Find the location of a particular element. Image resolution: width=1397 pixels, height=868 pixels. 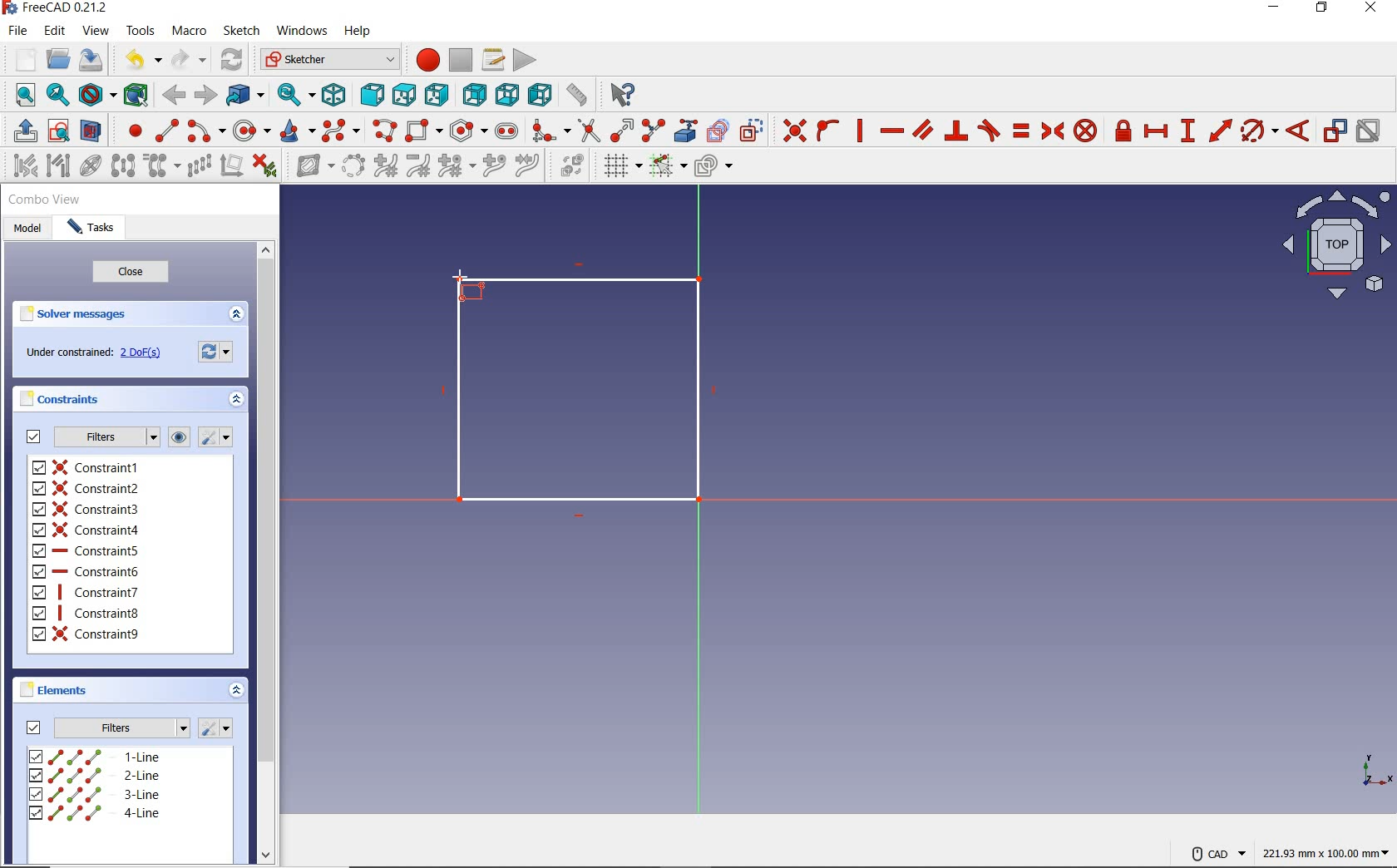

bounding box is located at coordinates (135, 94).